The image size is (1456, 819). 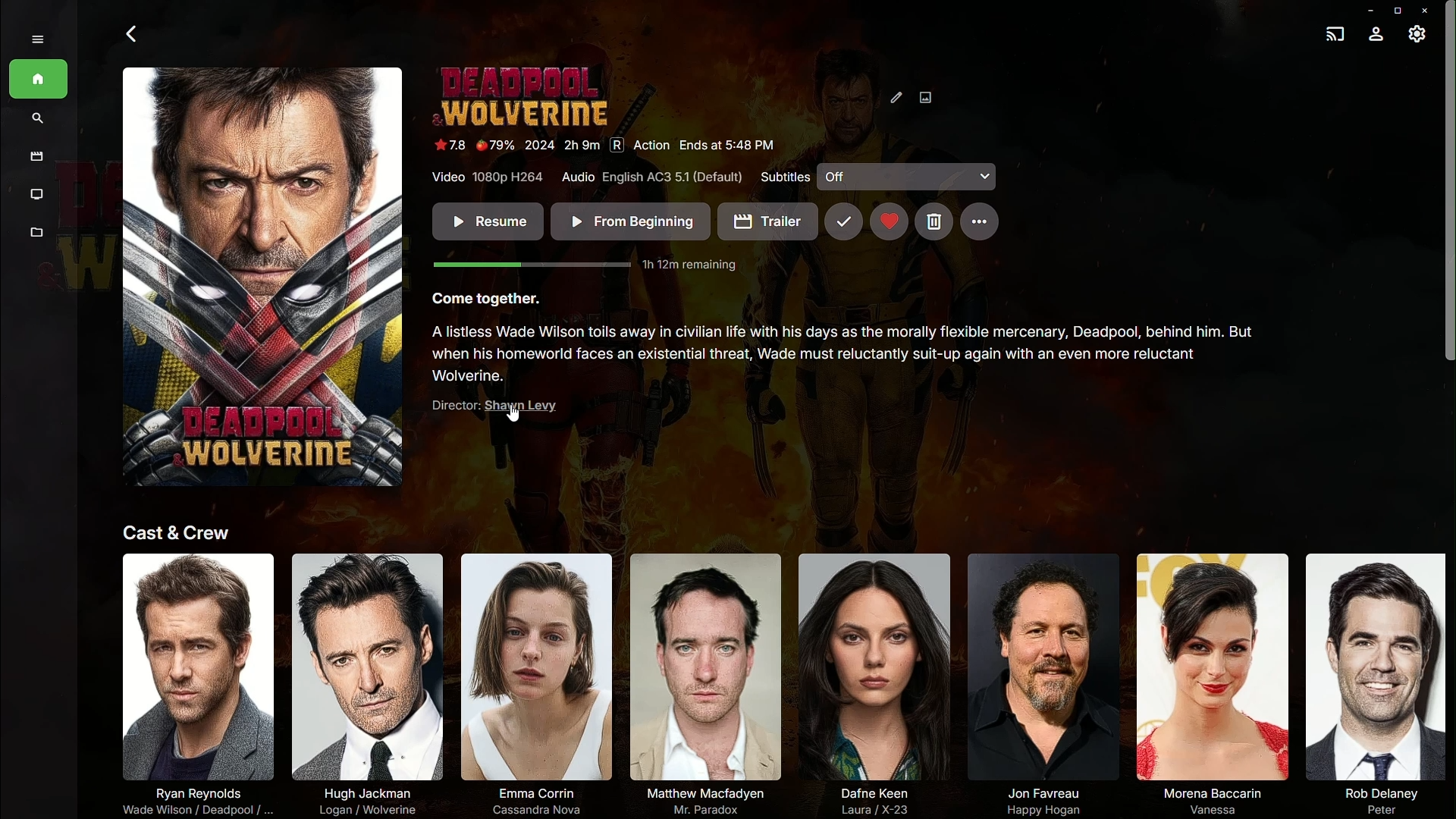 What do you see at coordinates (980, 221) in the screenshot?
I see `More Options` at bounding box center [980, 221].